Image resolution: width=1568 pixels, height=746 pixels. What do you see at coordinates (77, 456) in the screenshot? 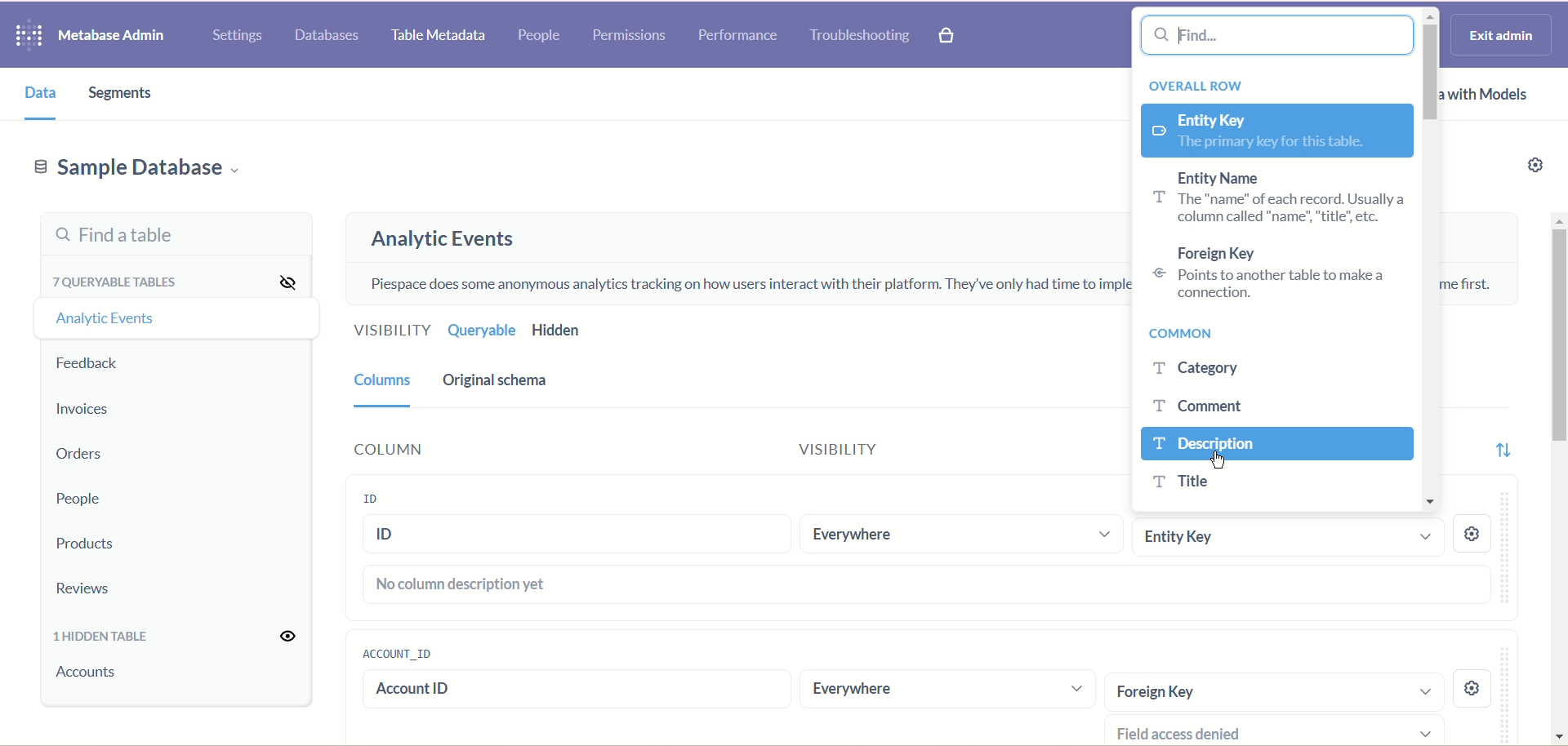
I see `orders` at bounding box center [77, 456].